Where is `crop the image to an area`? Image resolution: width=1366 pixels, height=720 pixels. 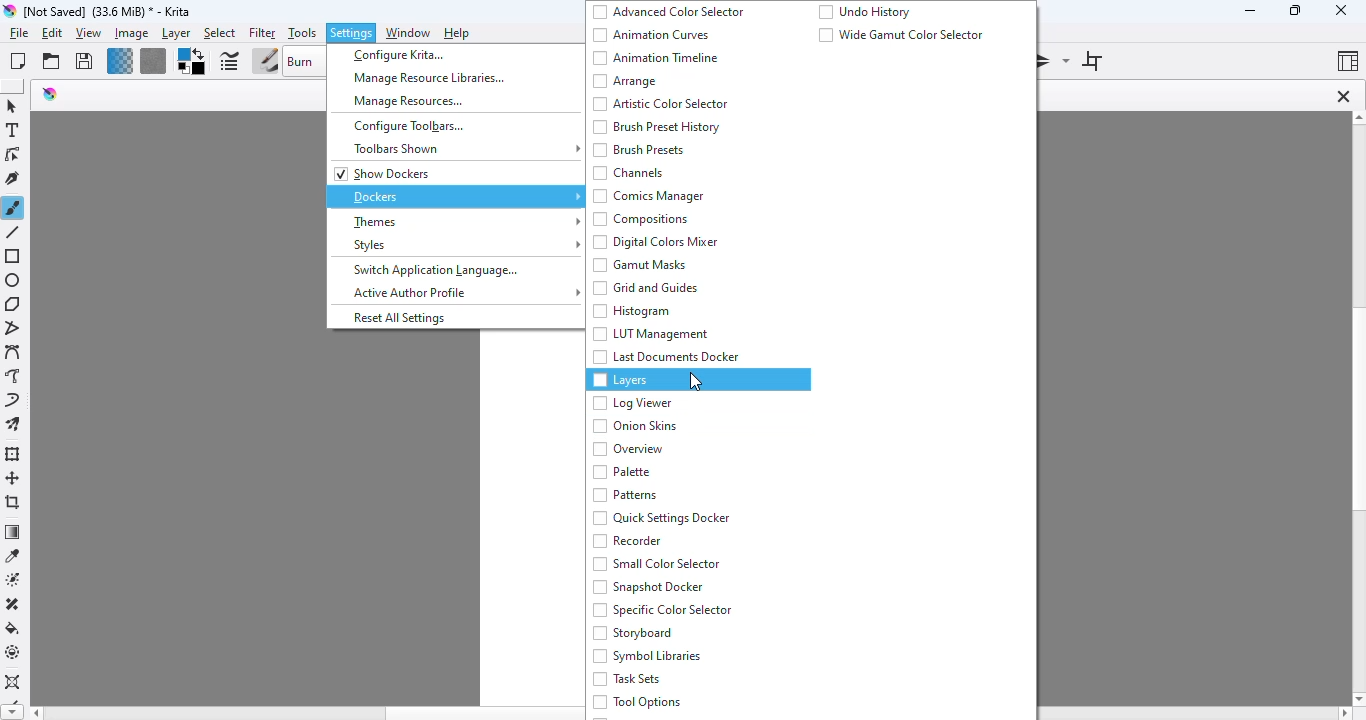 crop the image to an area is located at coordinates (14, 502).